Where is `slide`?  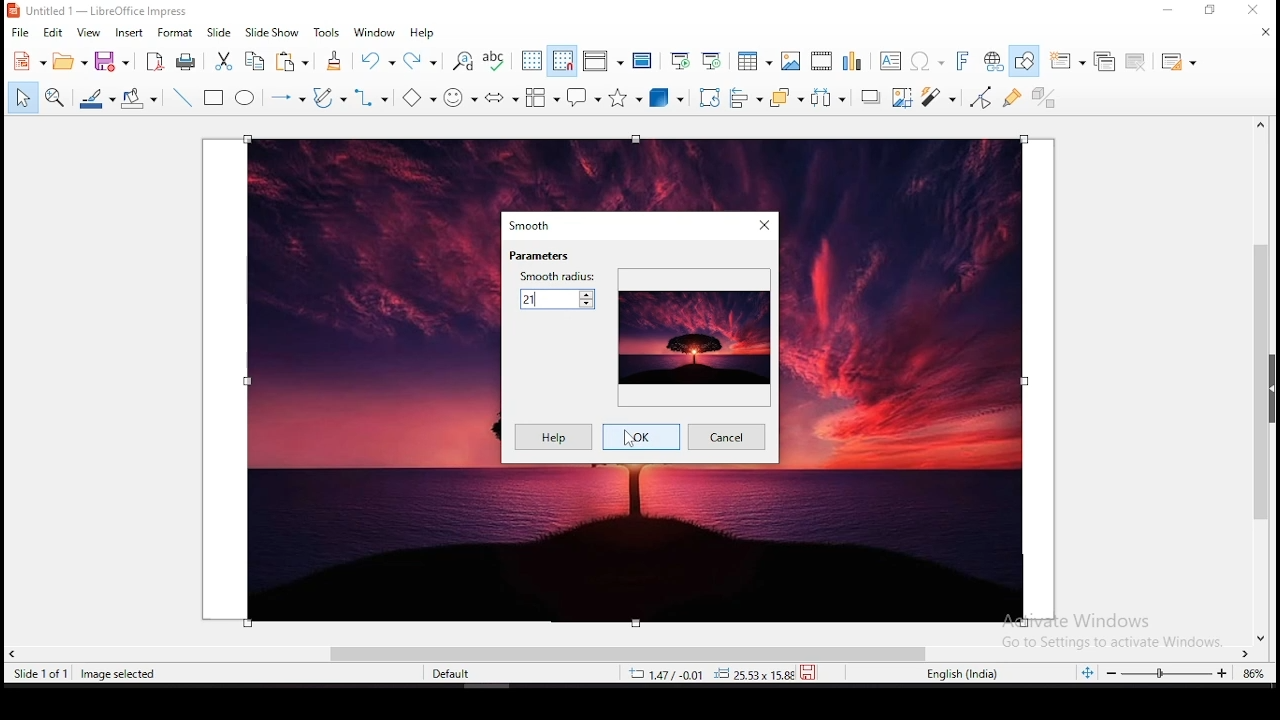
slide is located at coordinates (220, 32).